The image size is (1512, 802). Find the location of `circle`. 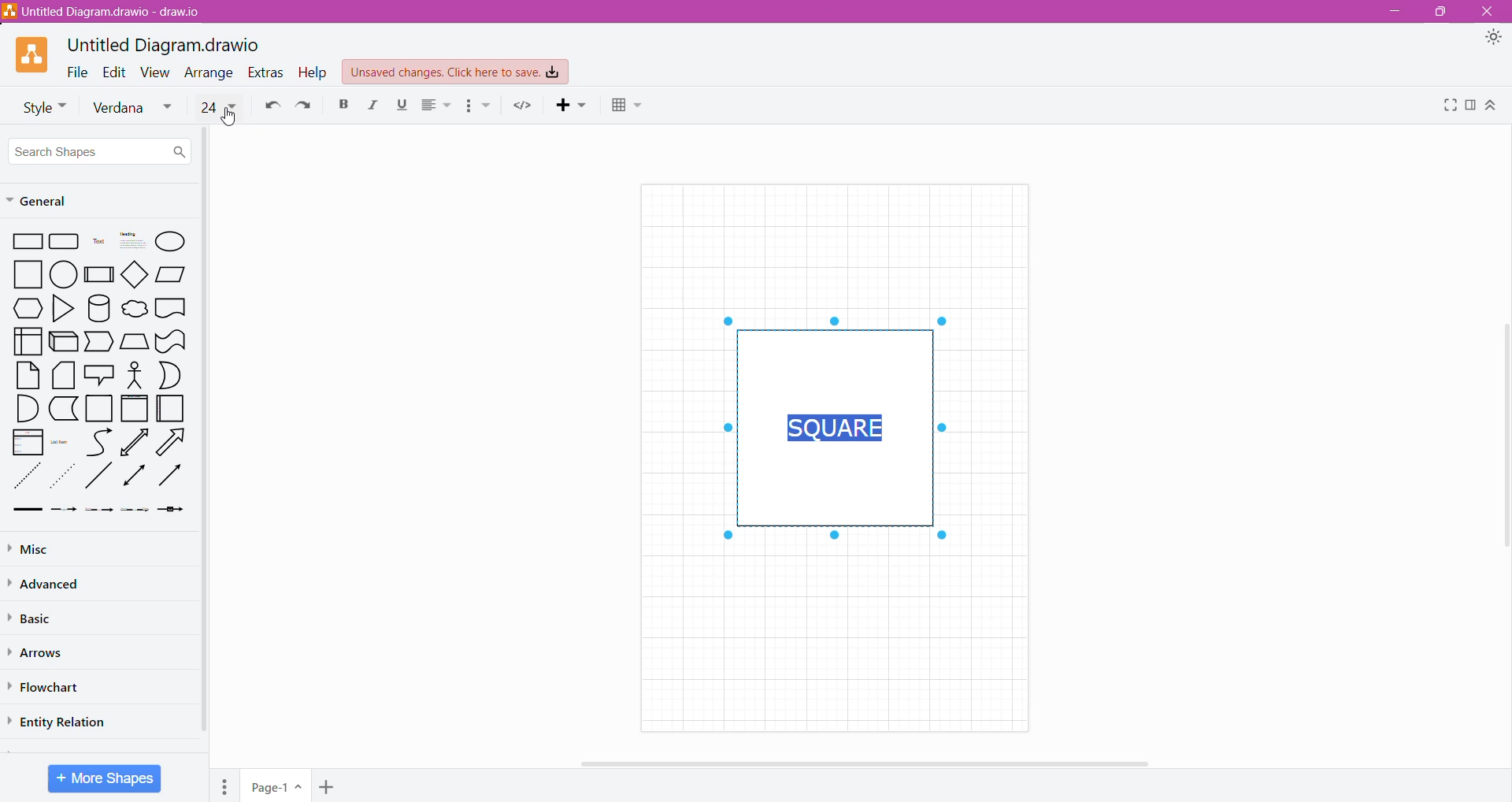

circle is located at coordinates (64, 273).